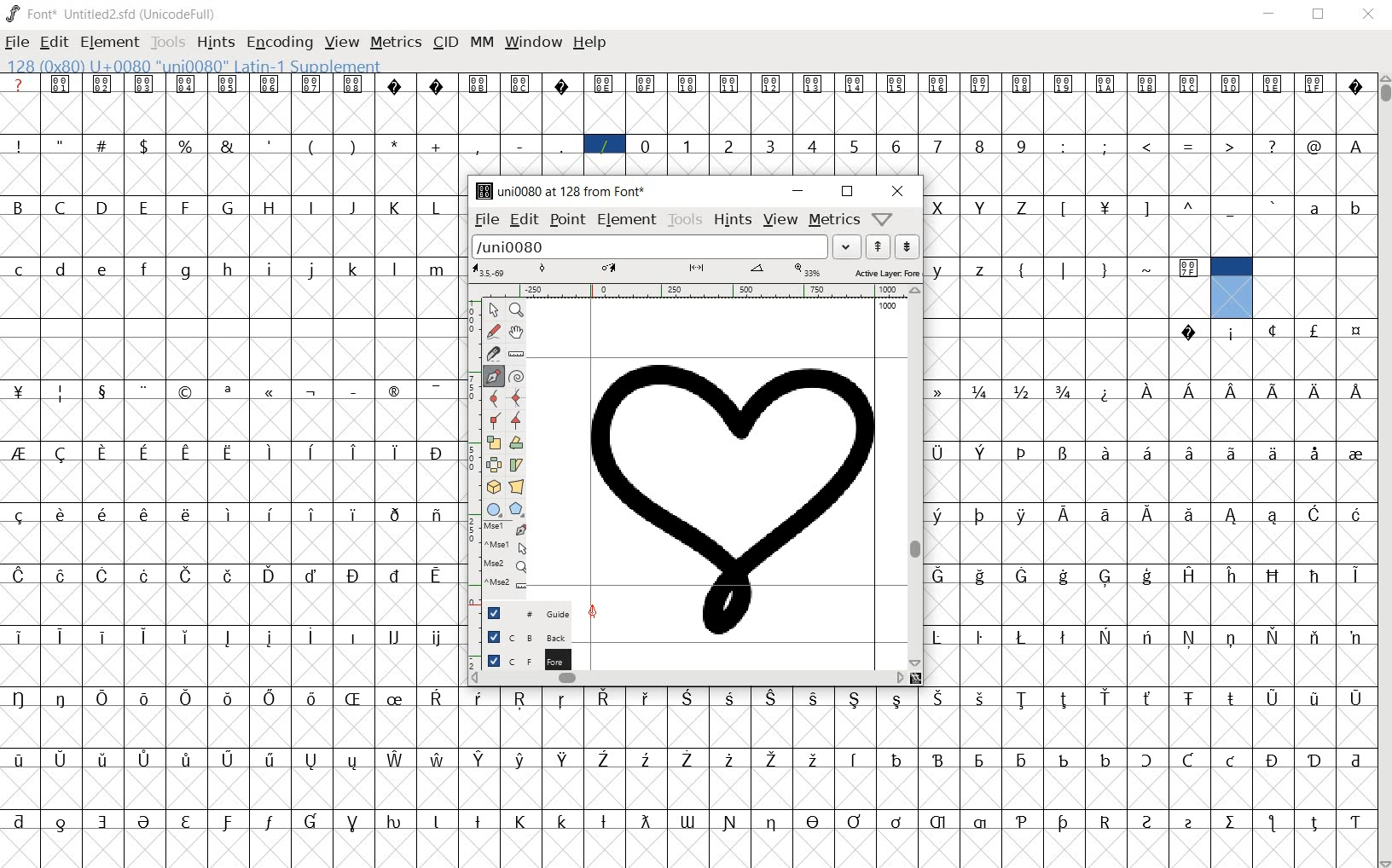 The image size is (1392, 868). What do you see at coordinates (18, 698) in the screenshot?
I see `glyph` at bounding box center [18, 698].